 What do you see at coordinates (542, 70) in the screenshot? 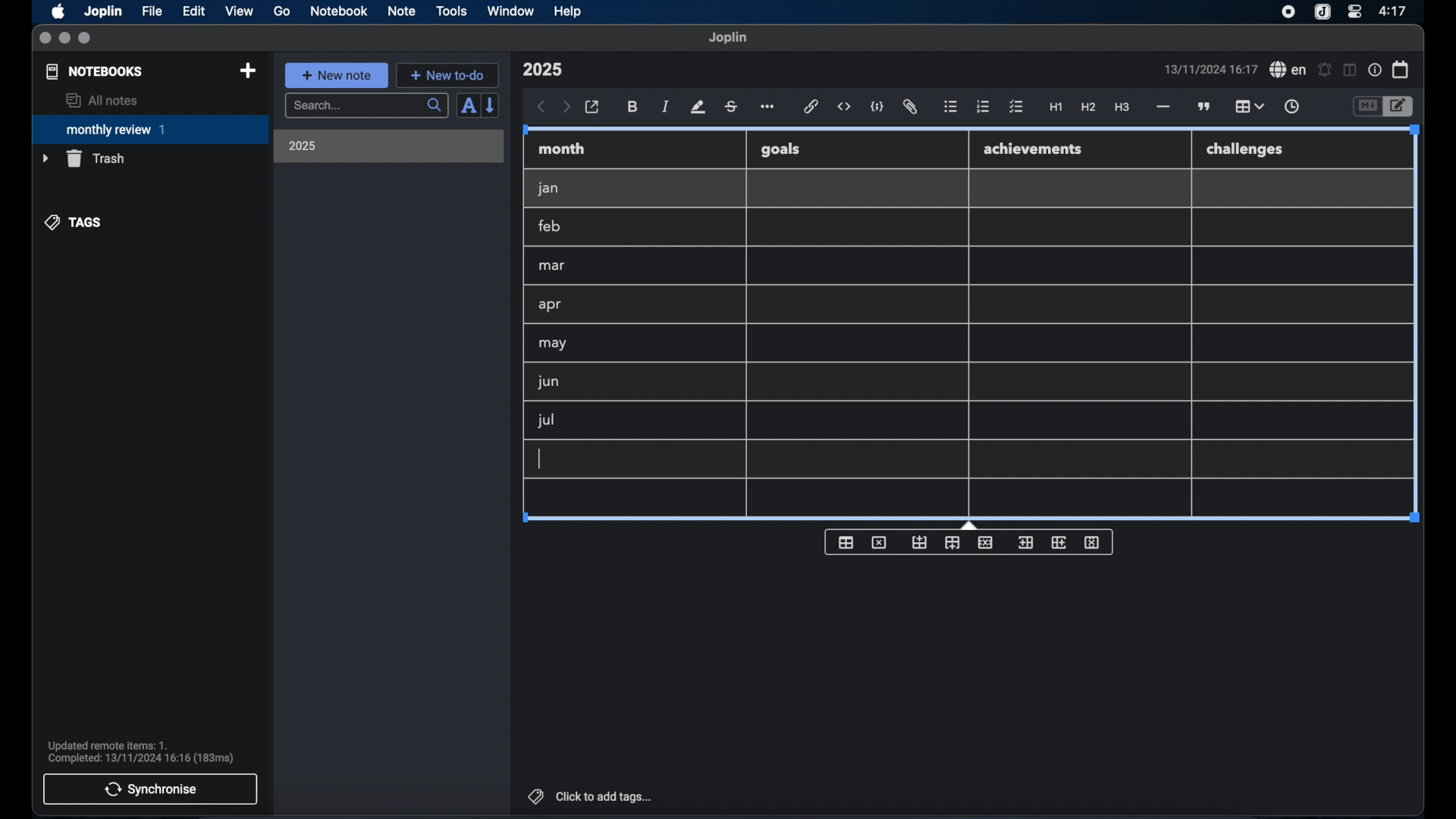
I see `note title` at bounding box center [542, 70].